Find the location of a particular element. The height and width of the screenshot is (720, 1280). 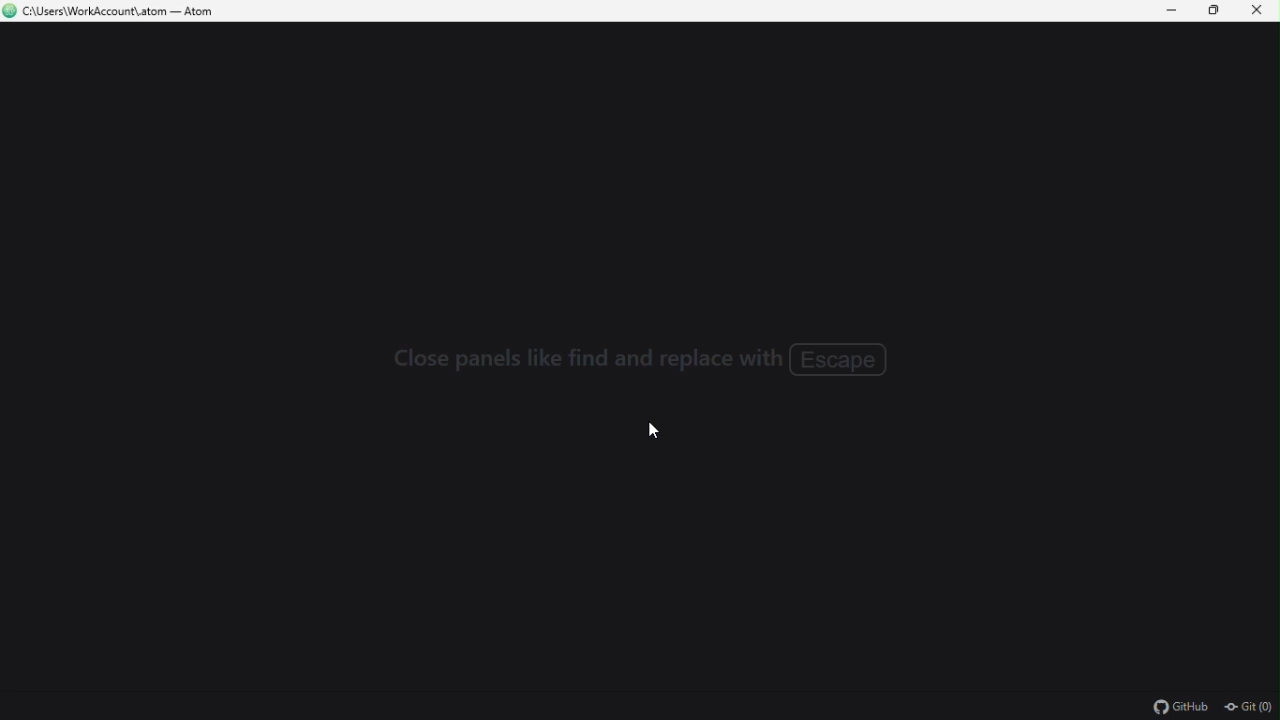

github is located at coordinates (1182, 707).